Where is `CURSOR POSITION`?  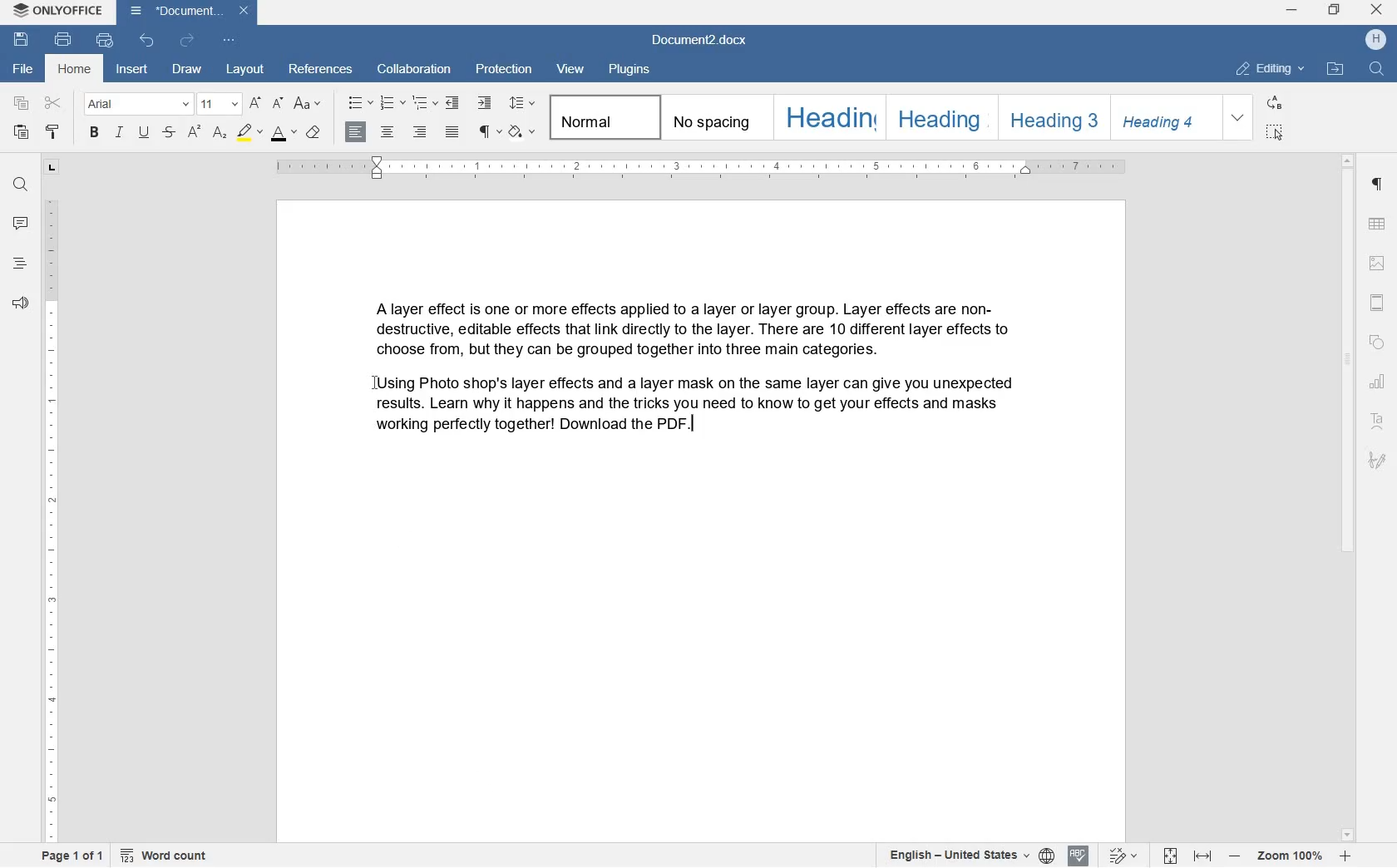
CURSOR POSITION is located at coordinates (376, 387).